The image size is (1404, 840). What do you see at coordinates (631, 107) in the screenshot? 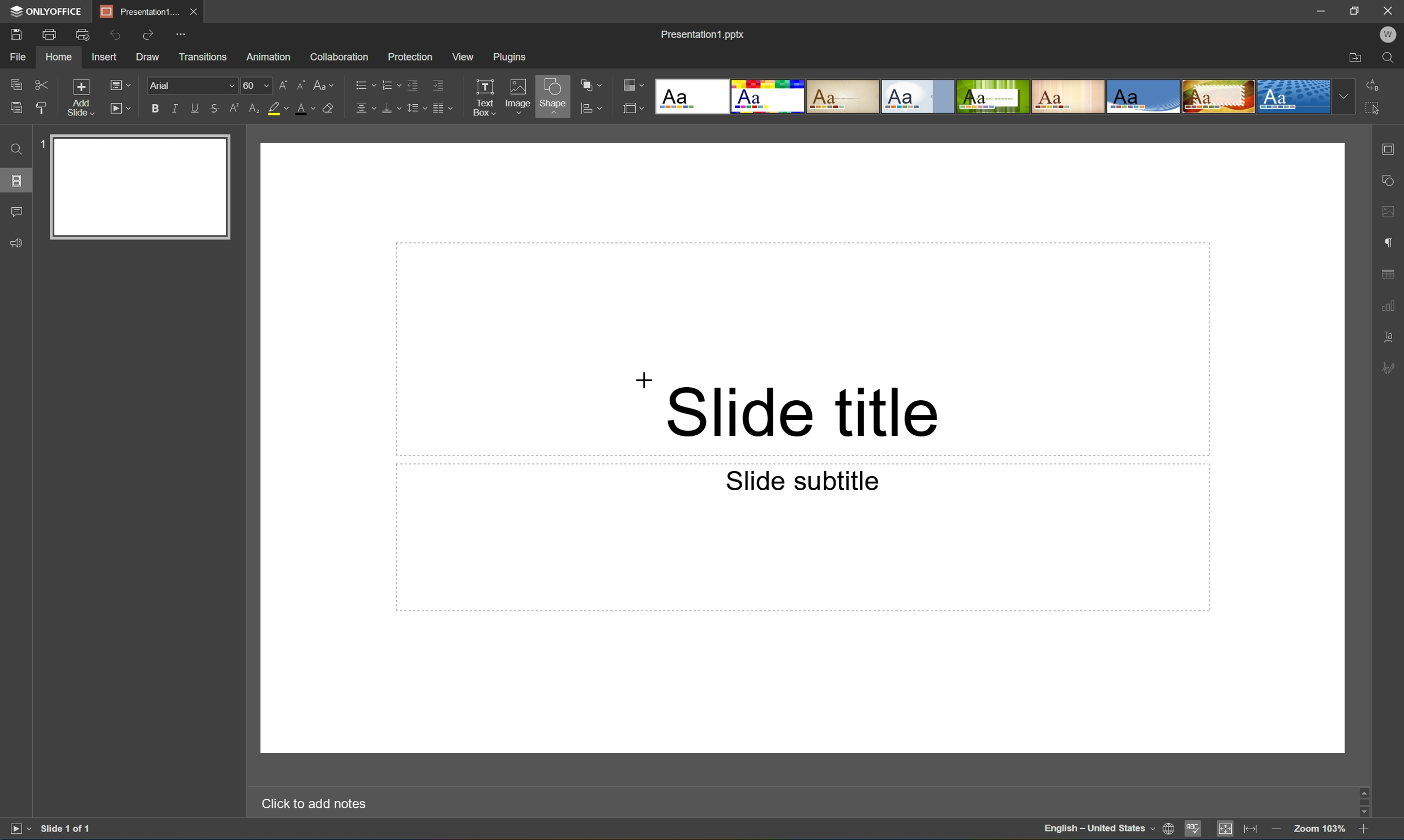
I see `icon` at bounding box center [631, 107].